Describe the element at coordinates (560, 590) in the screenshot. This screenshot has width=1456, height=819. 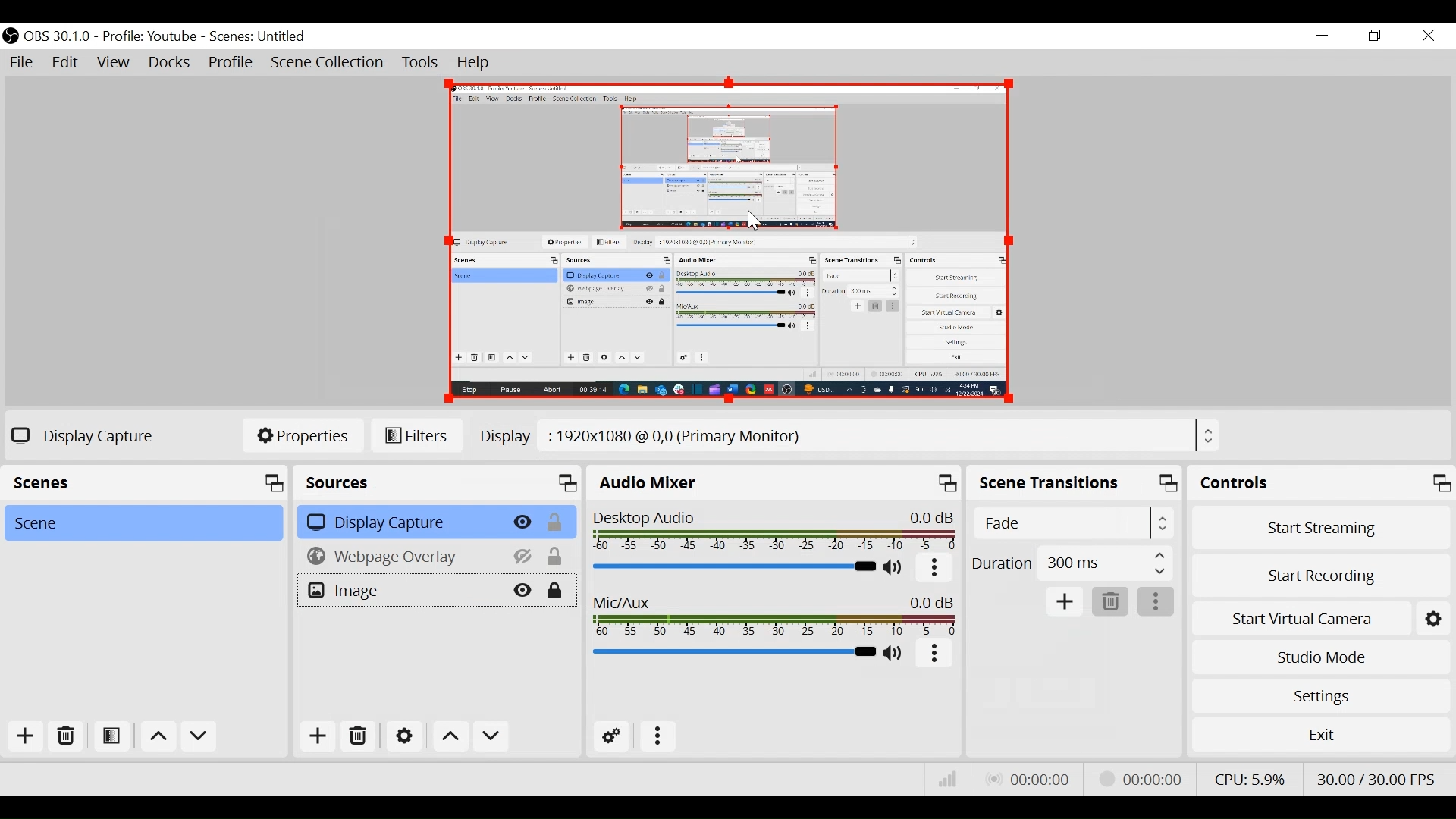
I see `(un)lock` at that location.